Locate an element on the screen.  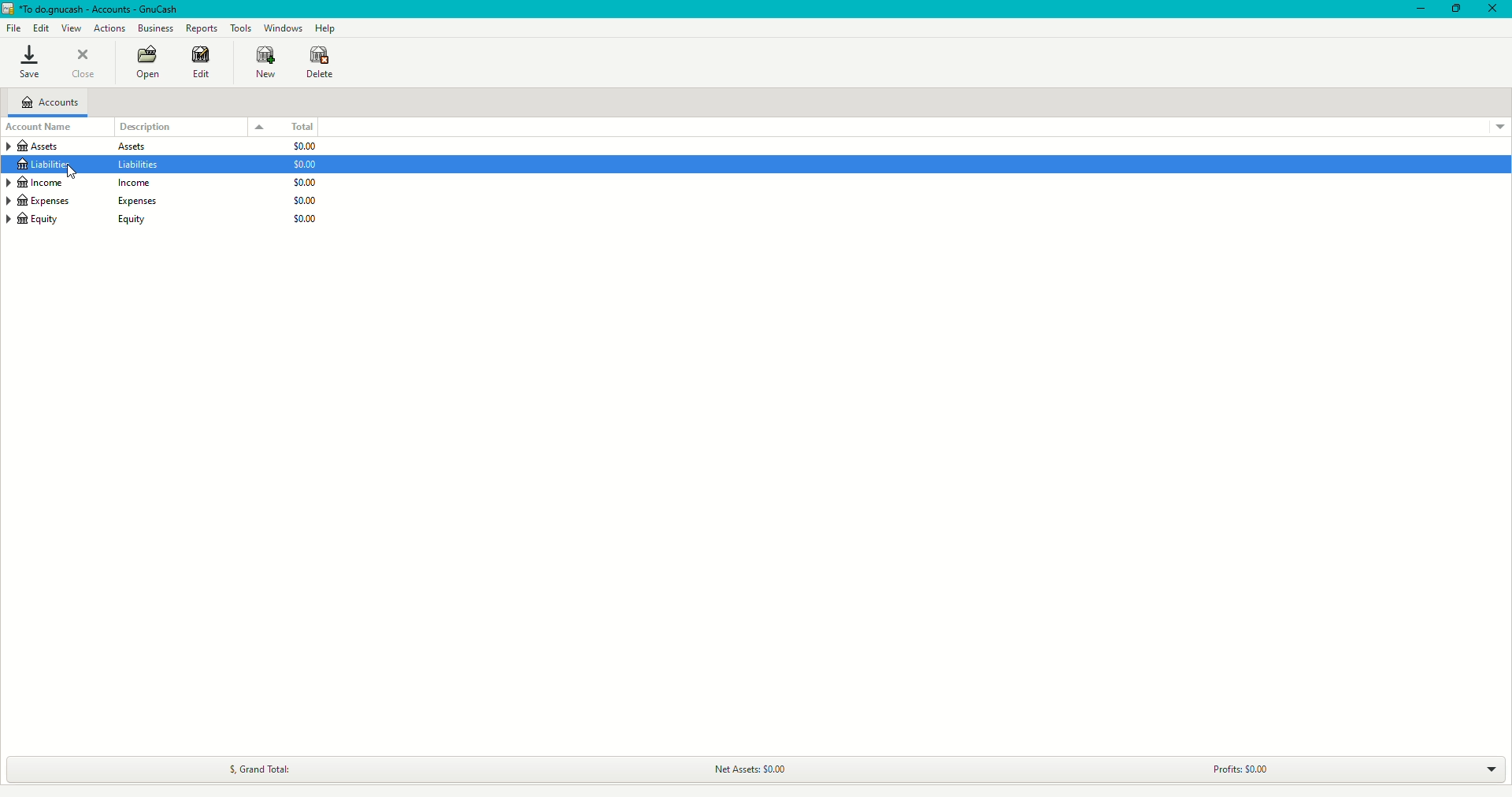
Edit is located at coordinates (39, 27).